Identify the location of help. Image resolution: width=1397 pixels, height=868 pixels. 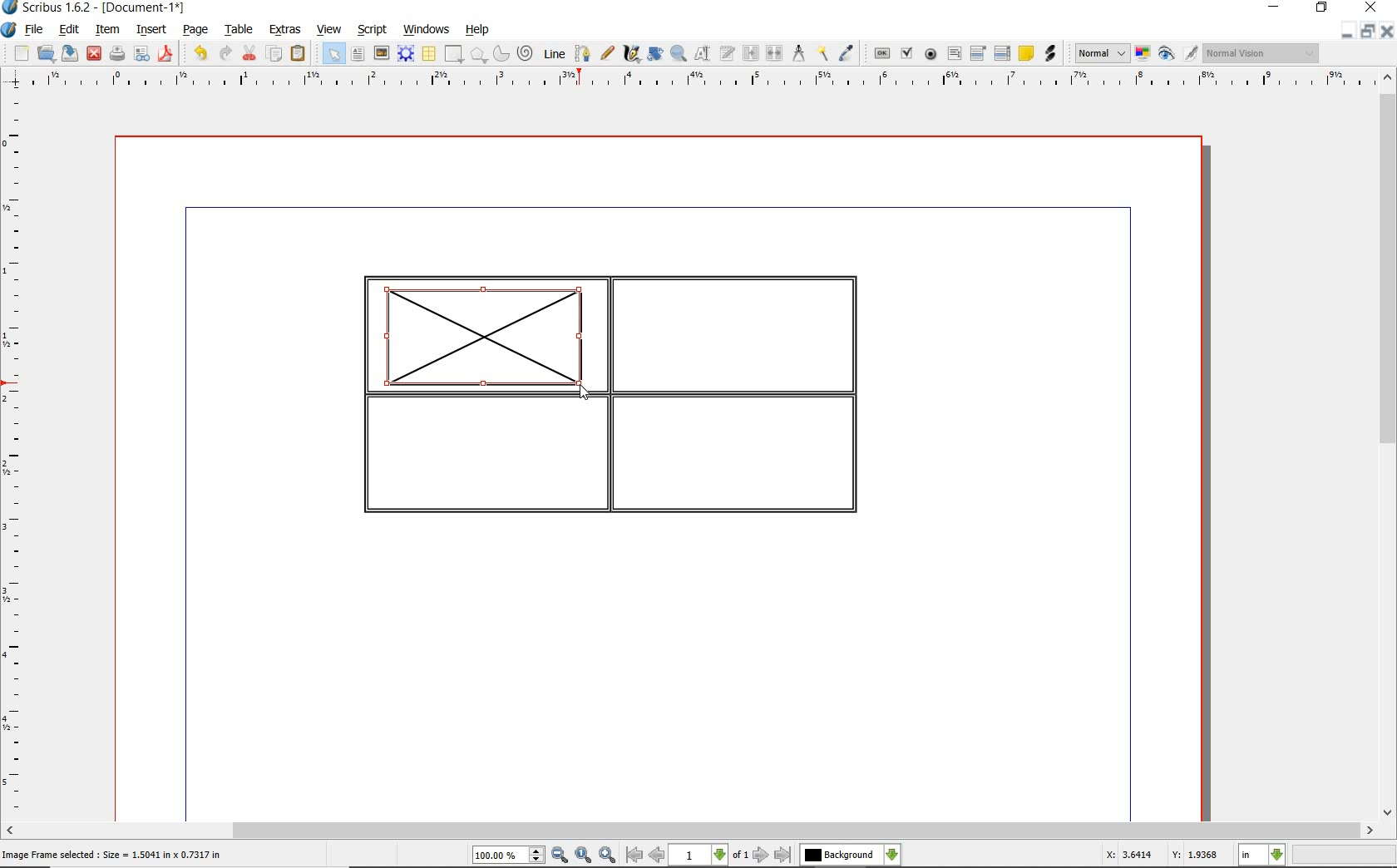
(477, 30).